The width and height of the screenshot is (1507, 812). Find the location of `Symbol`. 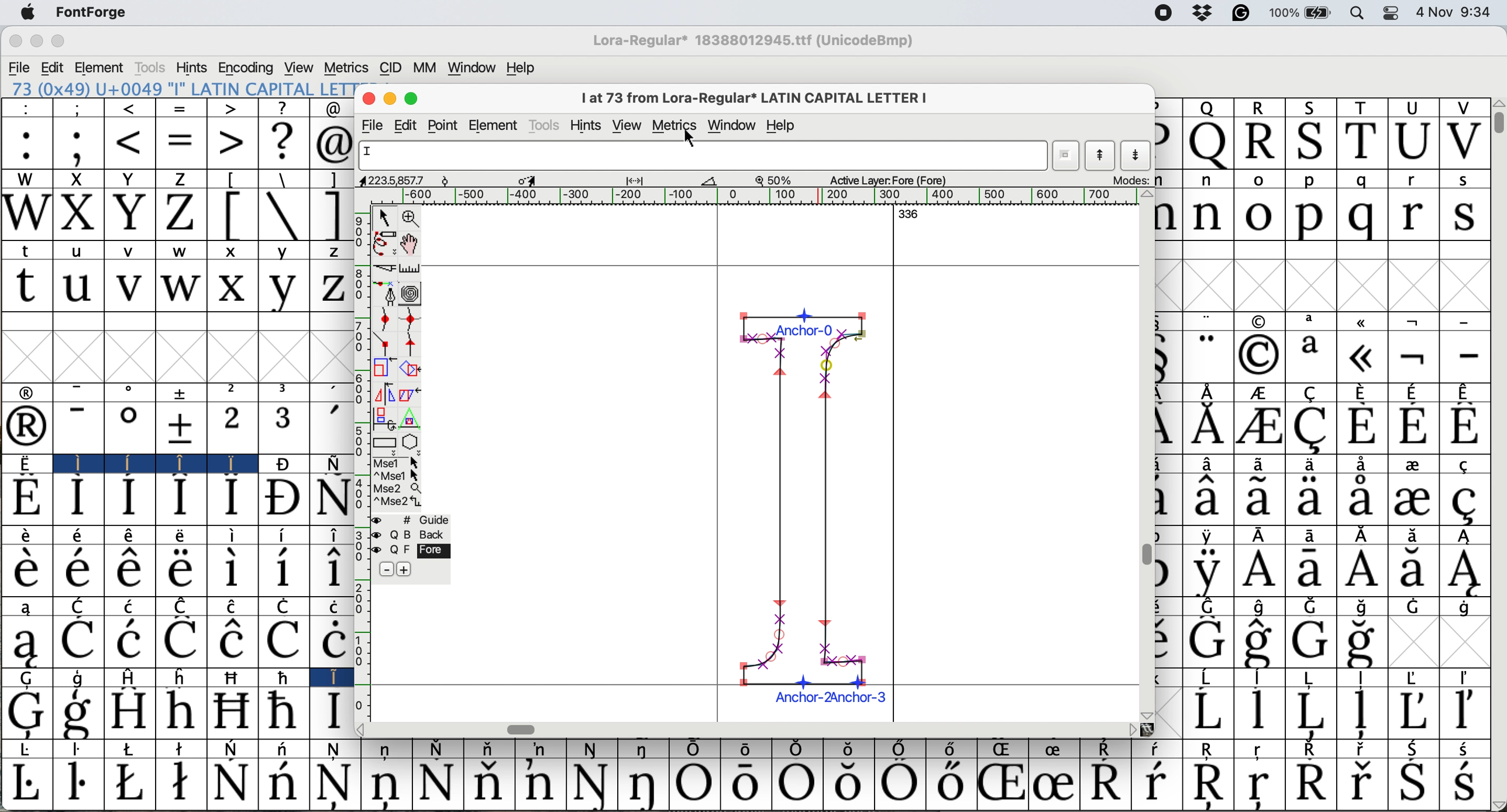

Symbol is located at coordinates (181, 499).